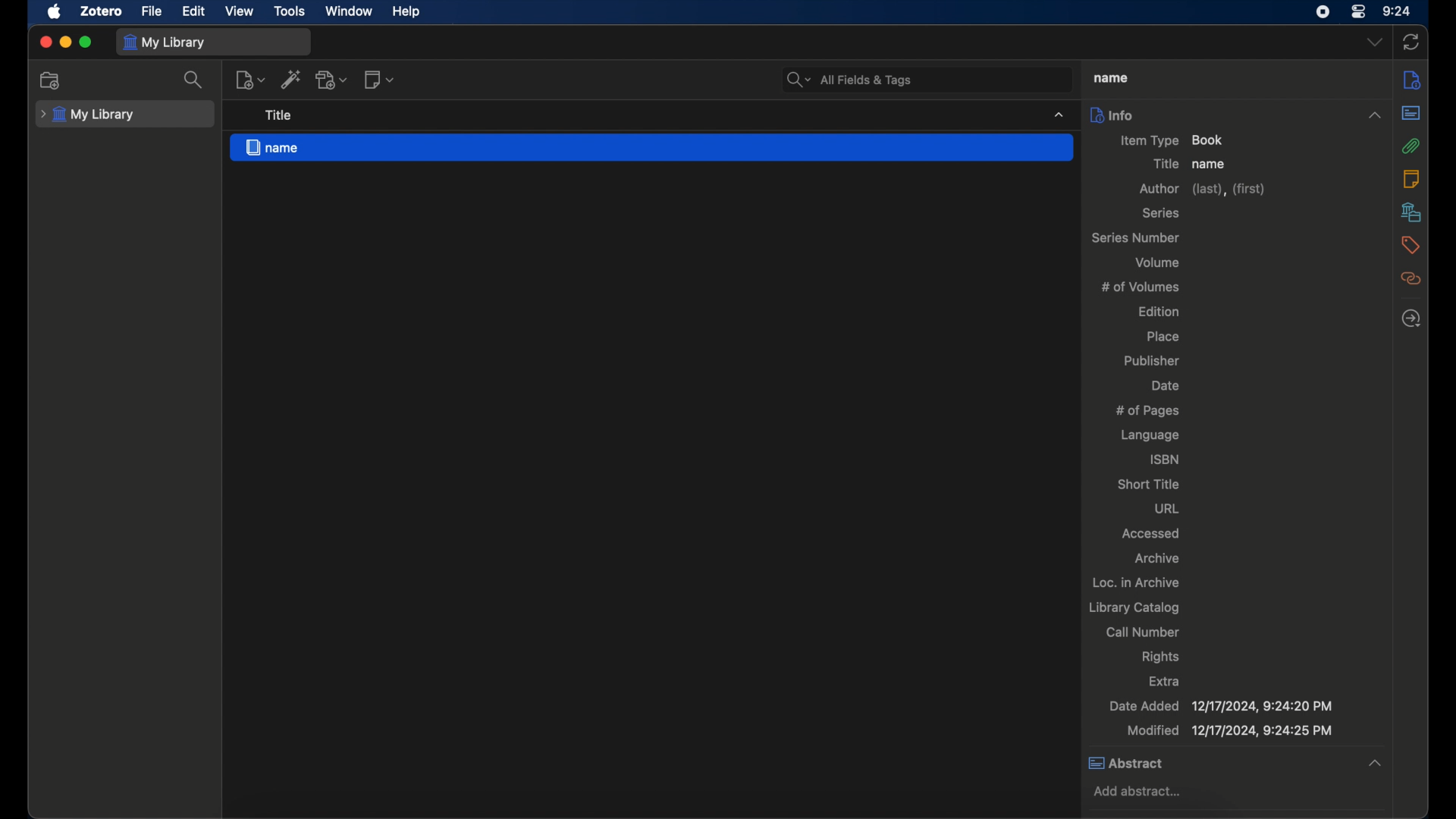 The height and width of the screenshot is (819, 1456). Describe the element at coordinates (288, 115) in the screenshot. I see `tooltip` at that location.